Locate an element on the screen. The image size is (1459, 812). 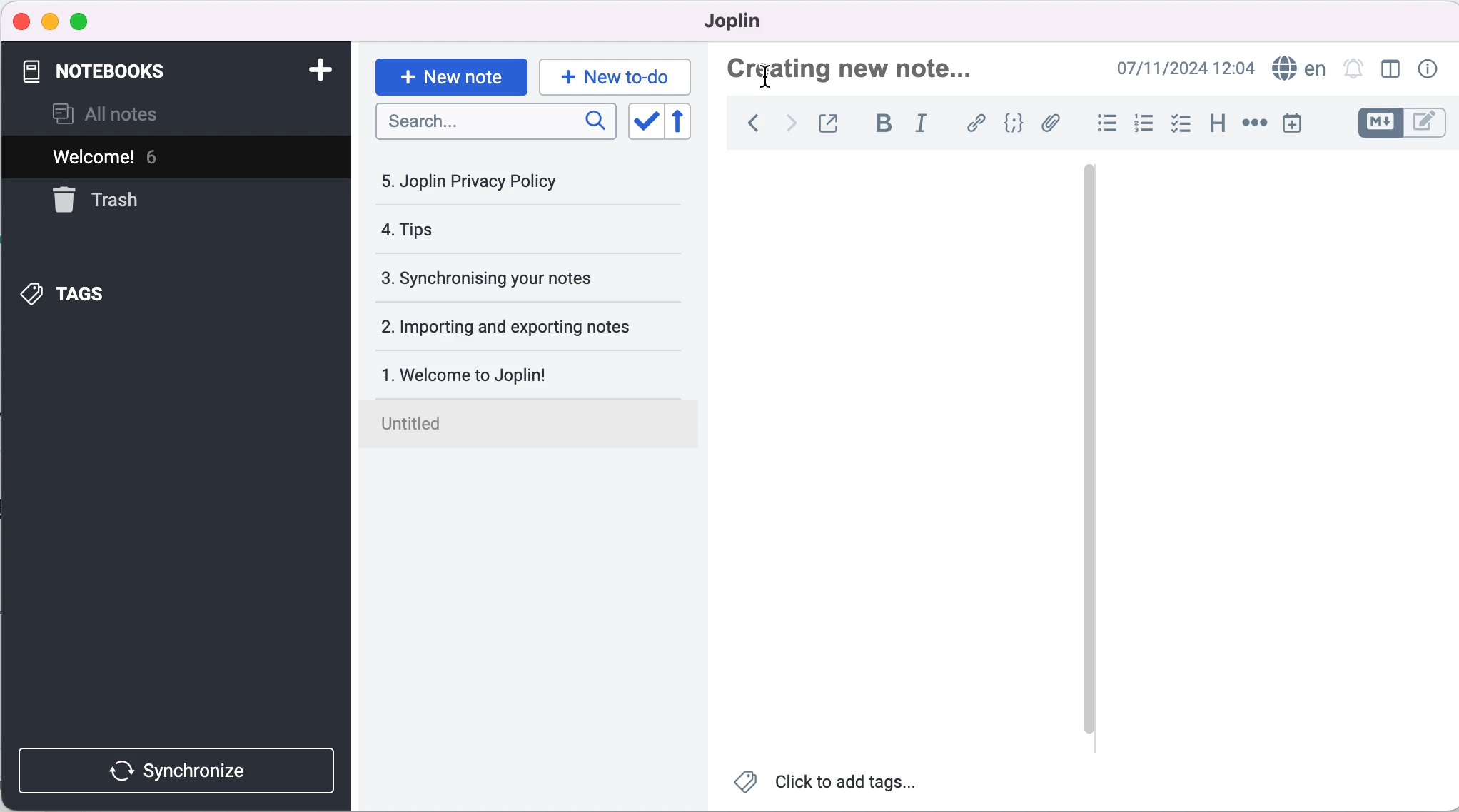
heading is located at coordinates (1218, 127).